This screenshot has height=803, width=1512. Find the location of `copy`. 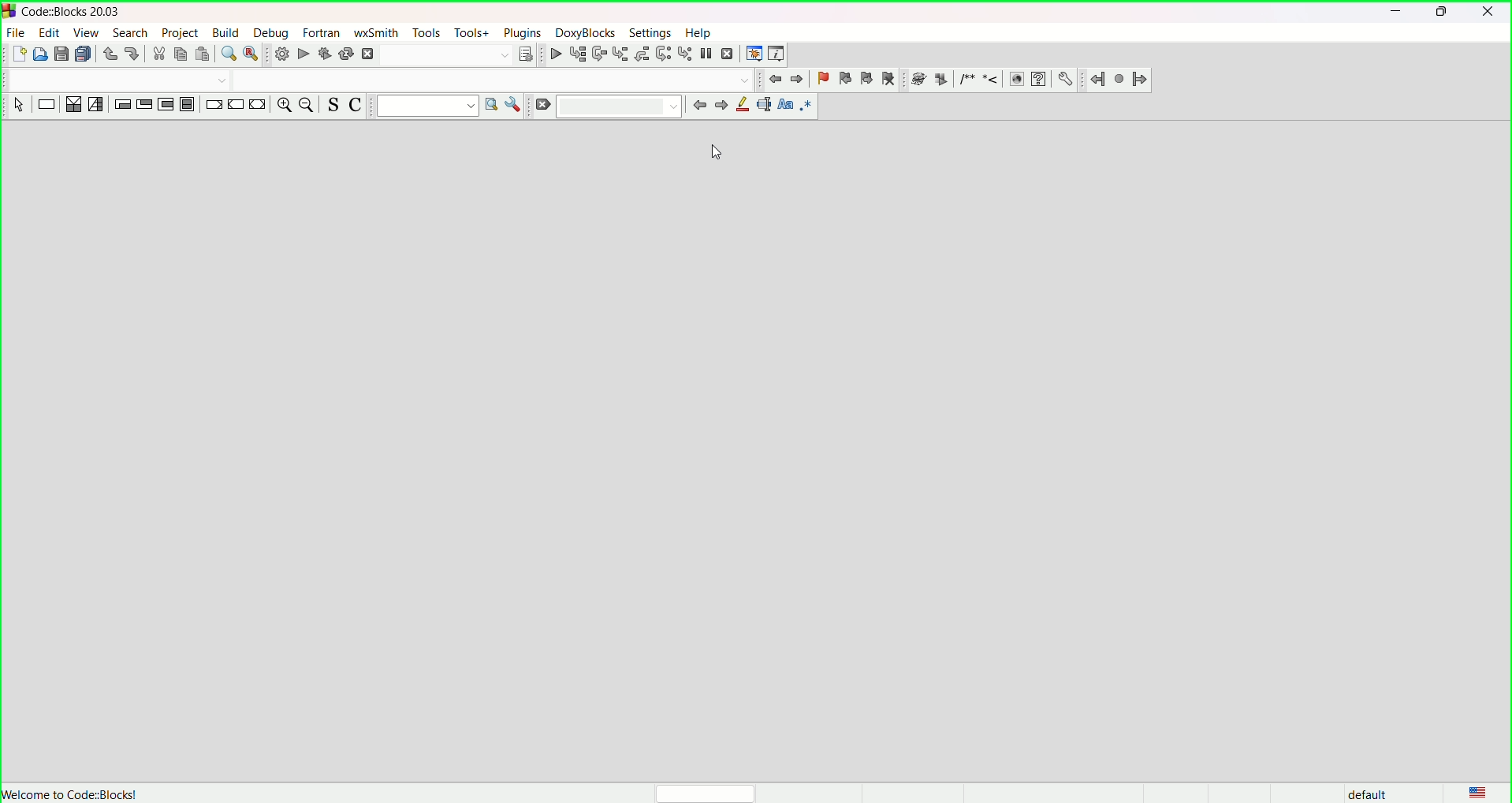

copy is located at coordinates (181, 54).